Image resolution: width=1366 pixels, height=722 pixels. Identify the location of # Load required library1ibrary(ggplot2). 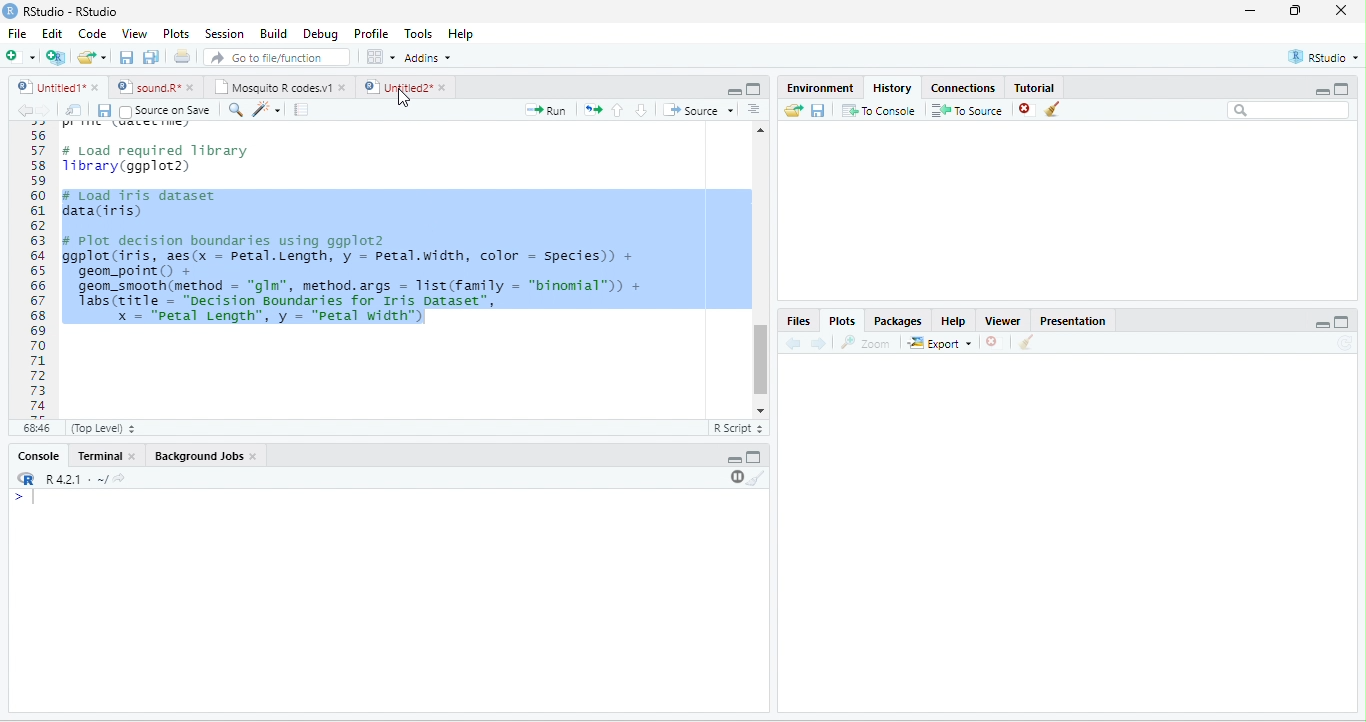
(157, 159).